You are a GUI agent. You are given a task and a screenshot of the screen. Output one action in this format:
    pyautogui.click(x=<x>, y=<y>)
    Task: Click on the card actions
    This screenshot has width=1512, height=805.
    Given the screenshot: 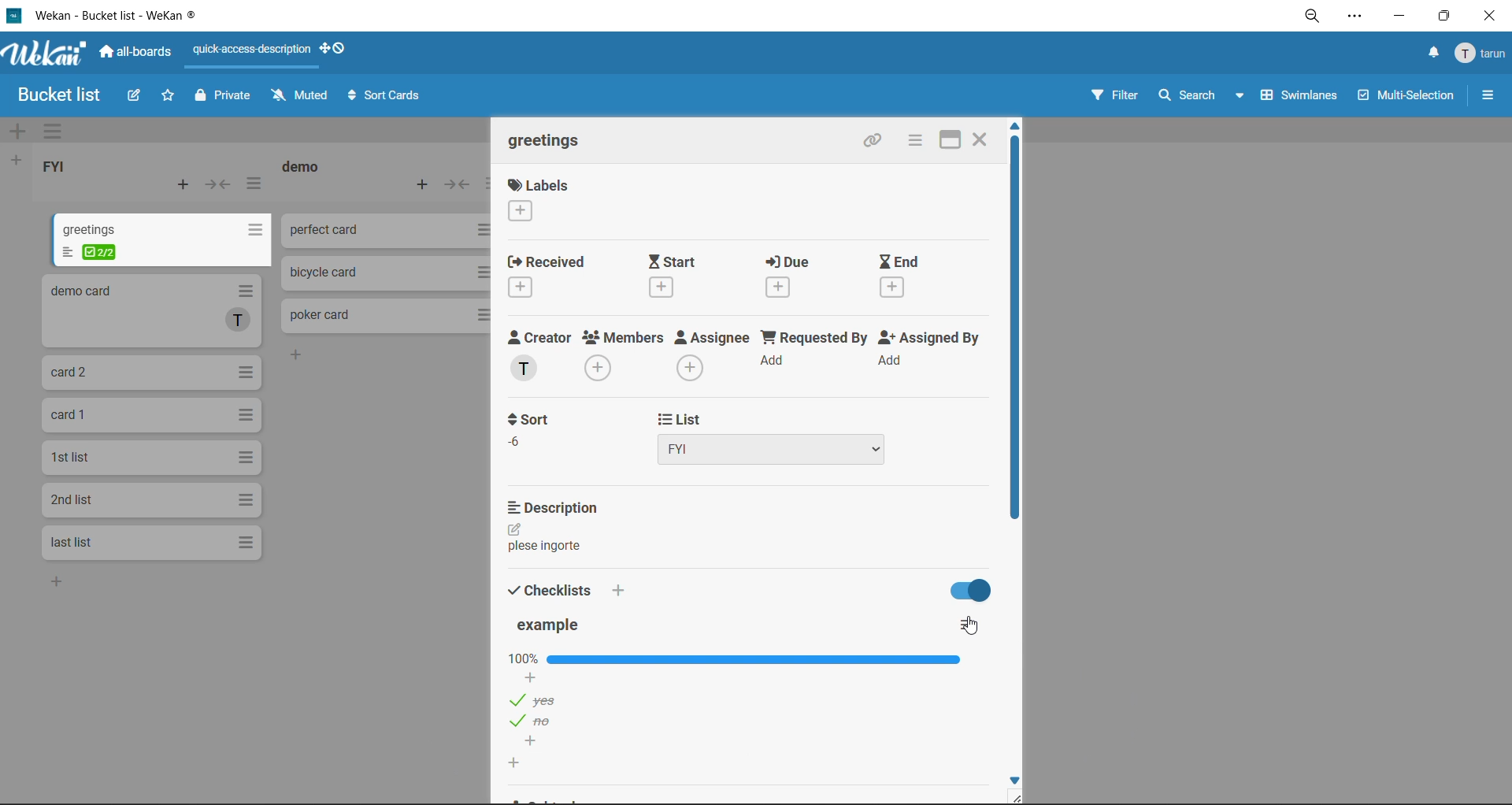 What is the action you would take?
    pyautogui.click(x=914, y=141)
    